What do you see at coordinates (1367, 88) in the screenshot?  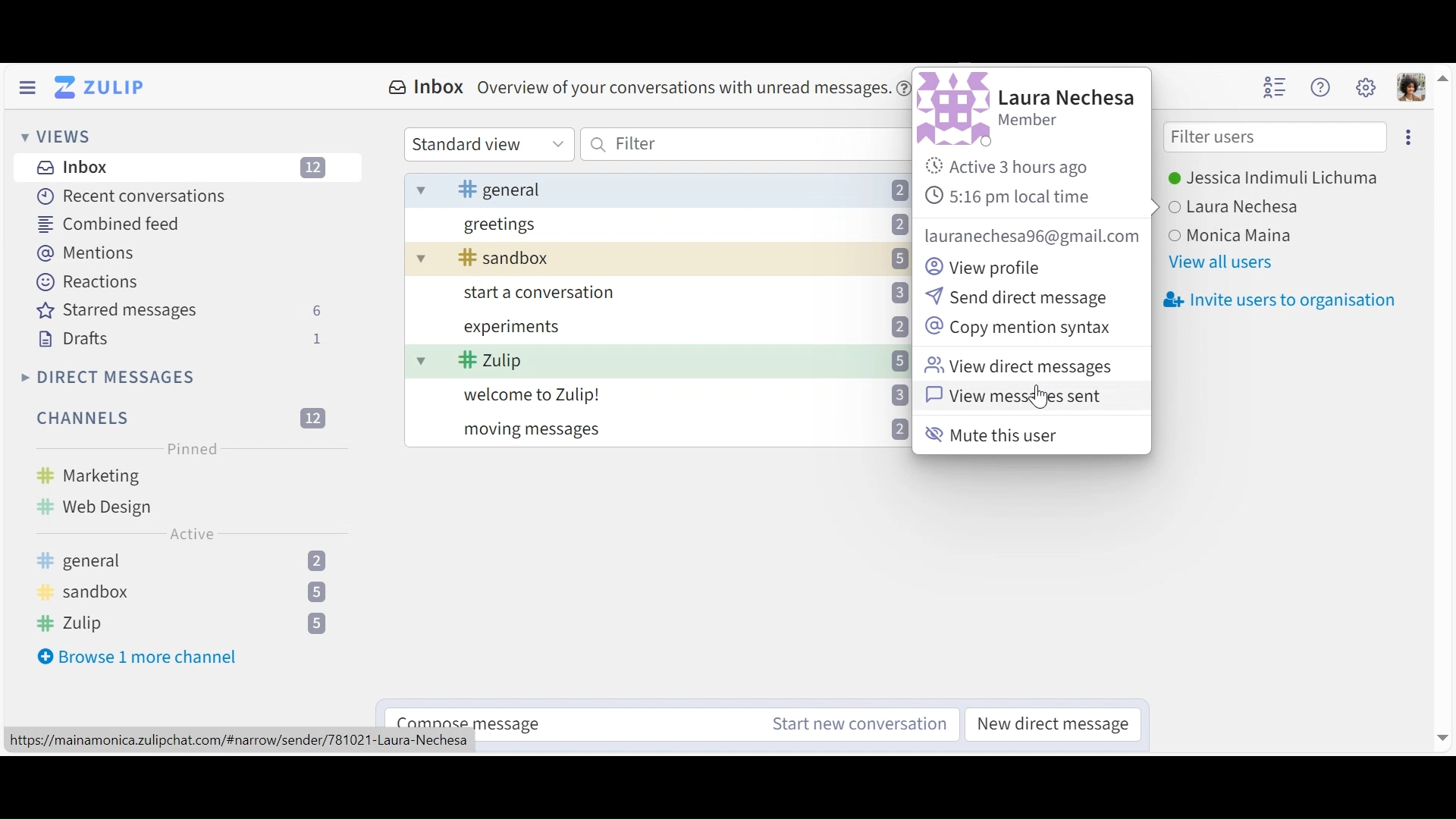 I see `Main menu` at bounding box center [1367, 88].